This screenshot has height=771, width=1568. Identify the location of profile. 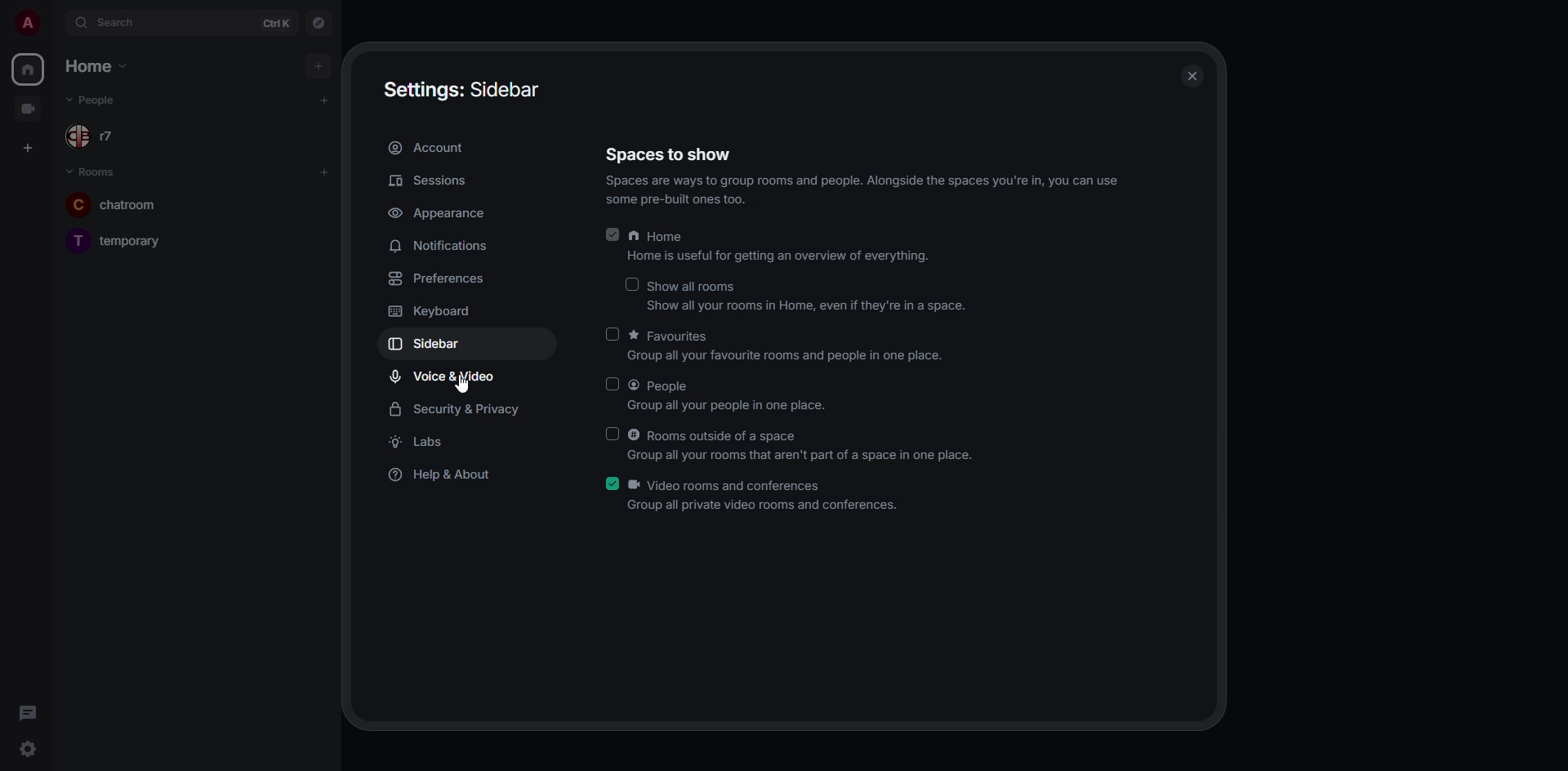
(28, 23).